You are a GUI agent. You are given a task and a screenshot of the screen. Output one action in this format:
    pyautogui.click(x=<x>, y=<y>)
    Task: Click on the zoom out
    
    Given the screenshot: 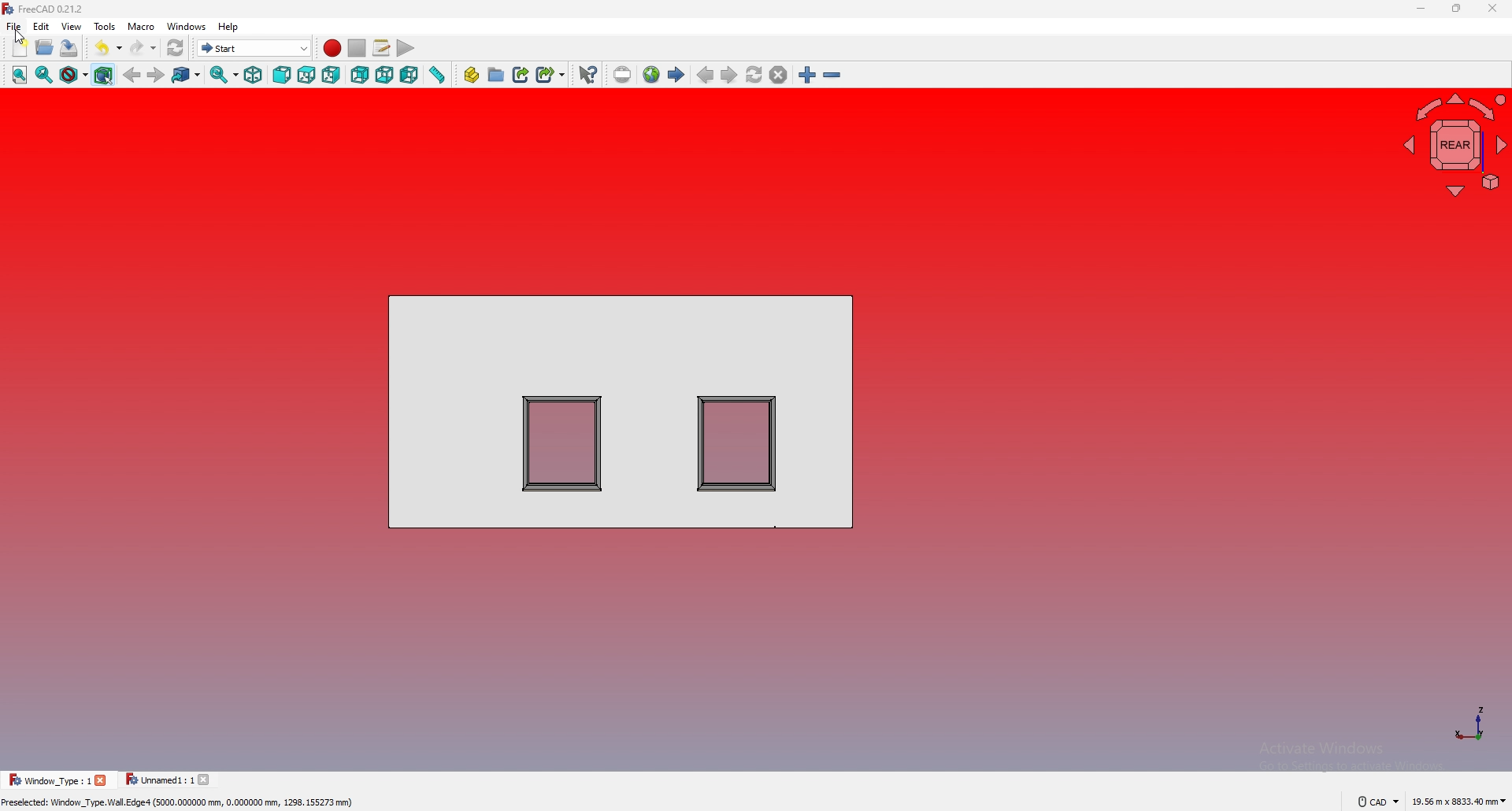 What is the action you would take?
    pyautogui.click(x=832, y=76)
    